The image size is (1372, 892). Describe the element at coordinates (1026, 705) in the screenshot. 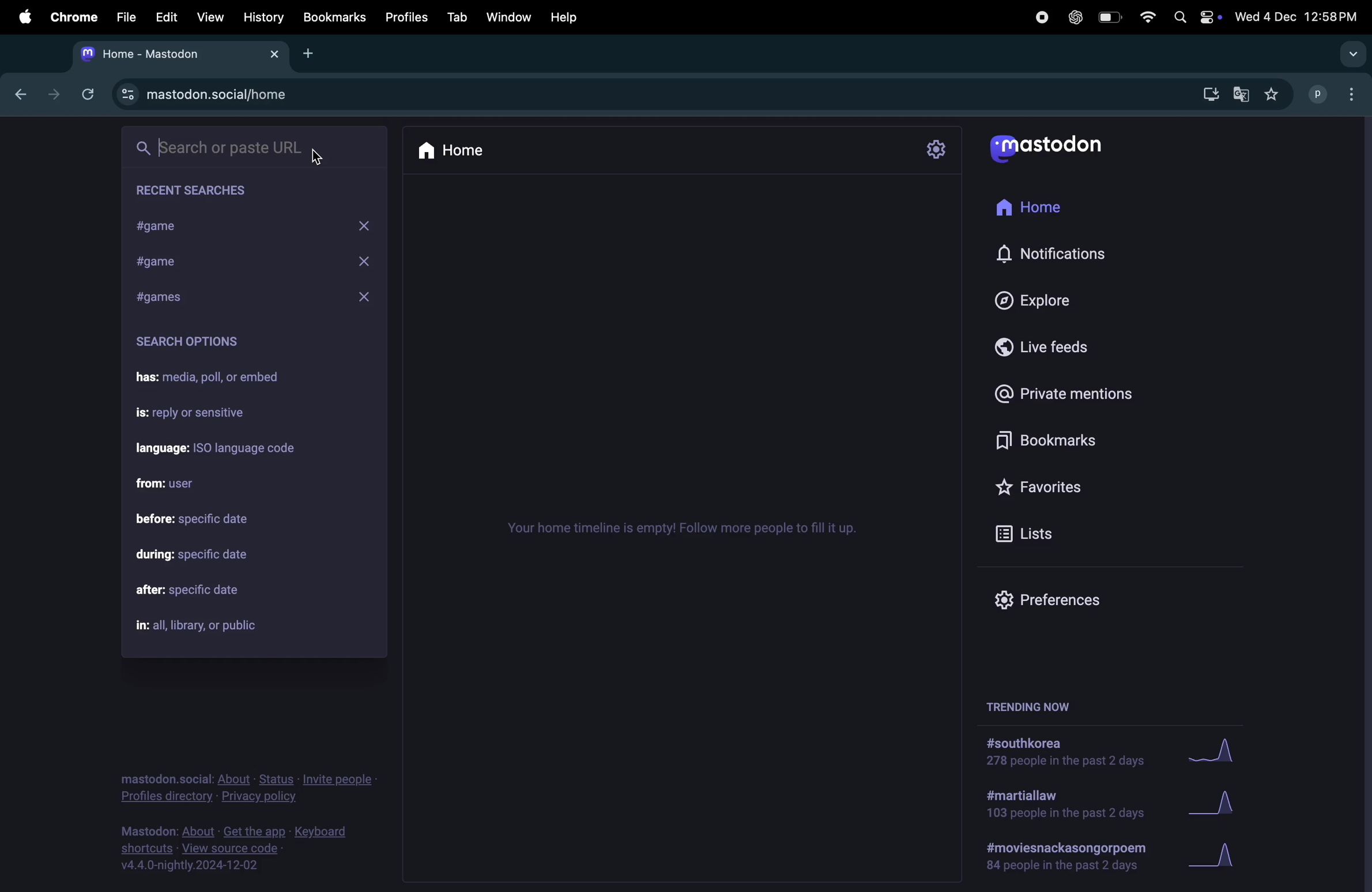

I see `trending now` at that location.